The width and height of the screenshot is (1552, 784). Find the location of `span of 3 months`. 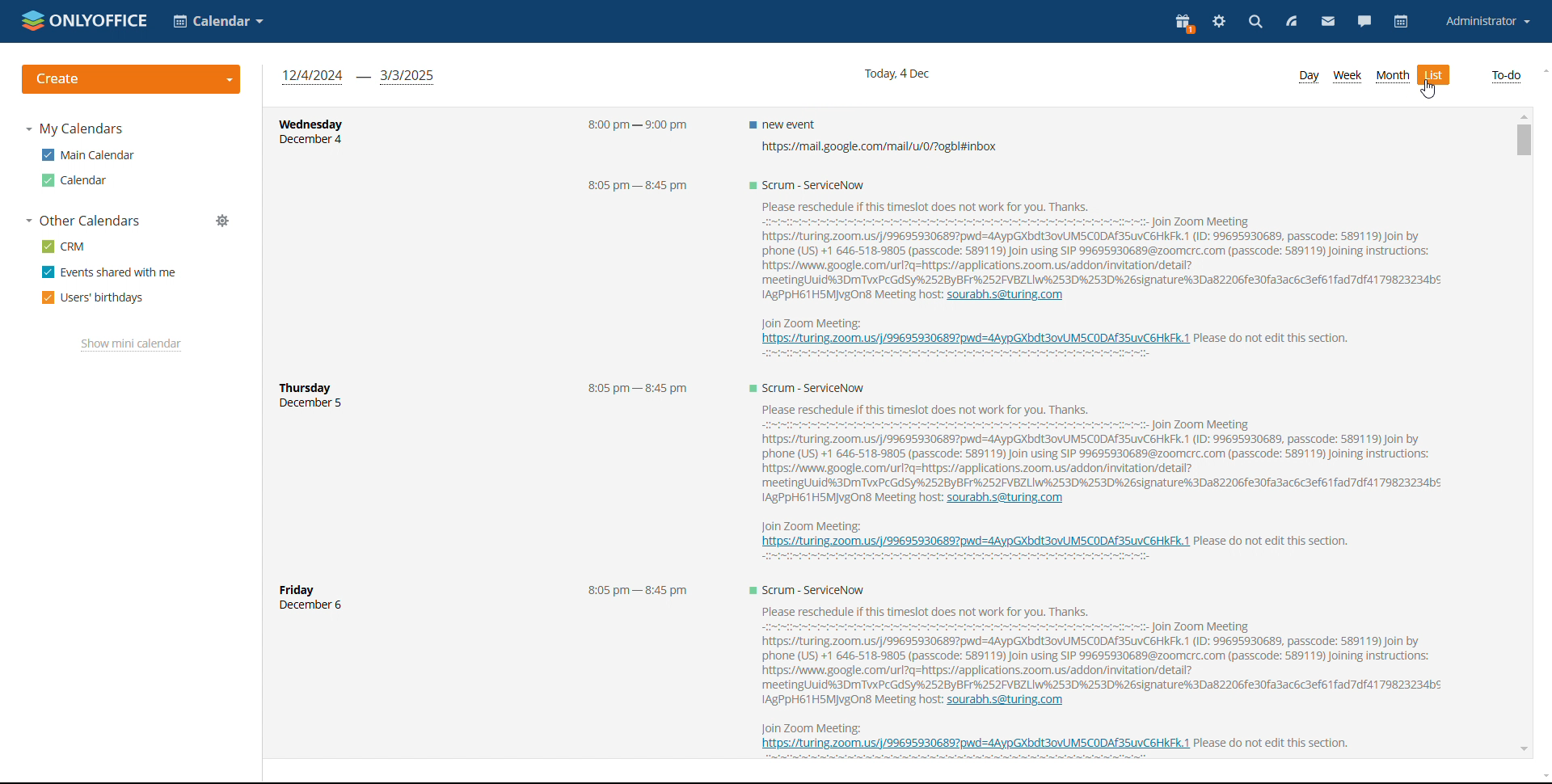

span of 3 months is located at coordinates (359, 77).